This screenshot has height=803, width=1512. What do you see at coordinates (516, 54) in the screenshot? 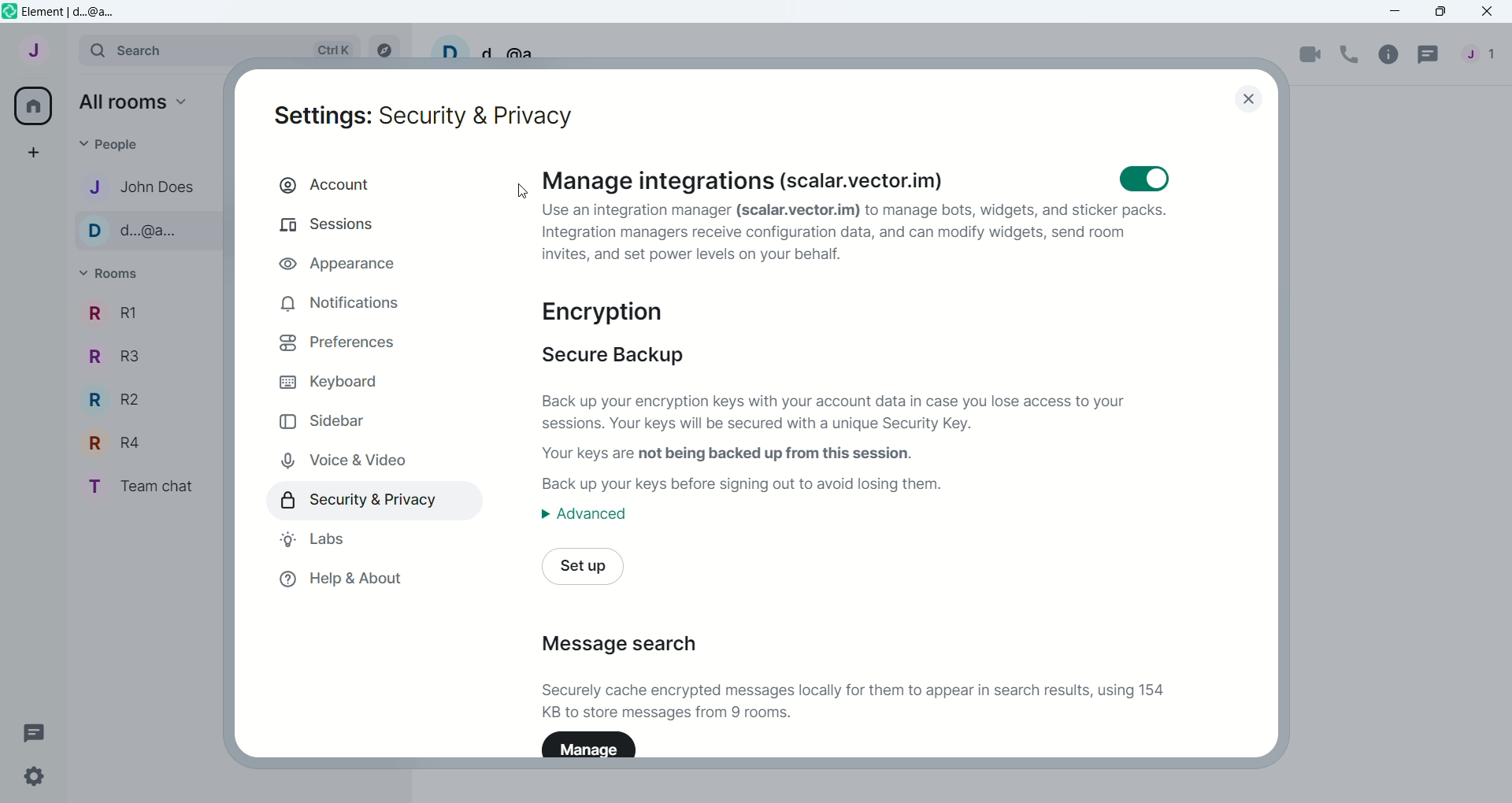
I see `d..@a...` at bounding box center [516, 54].